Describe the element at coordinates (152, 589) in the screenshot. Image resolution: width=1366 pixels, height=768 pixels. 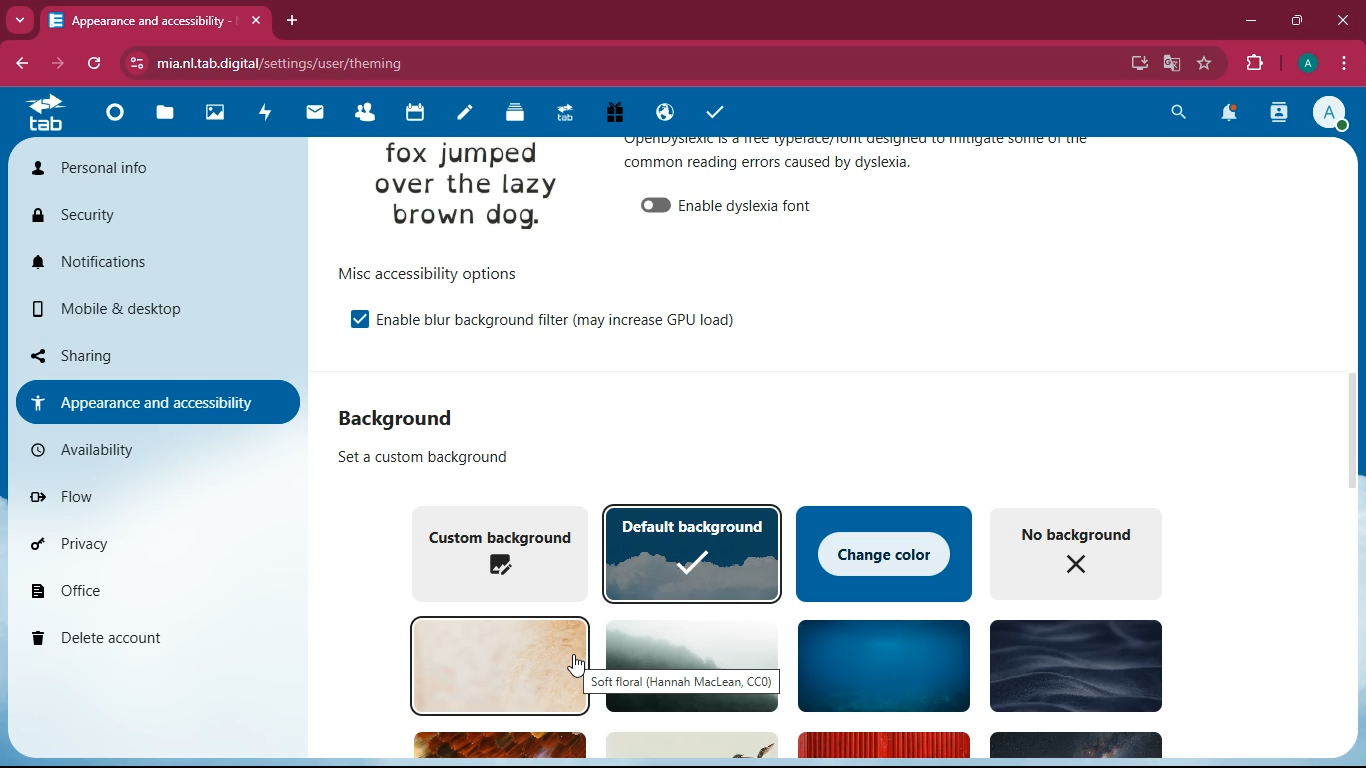
I see `office` at that location.